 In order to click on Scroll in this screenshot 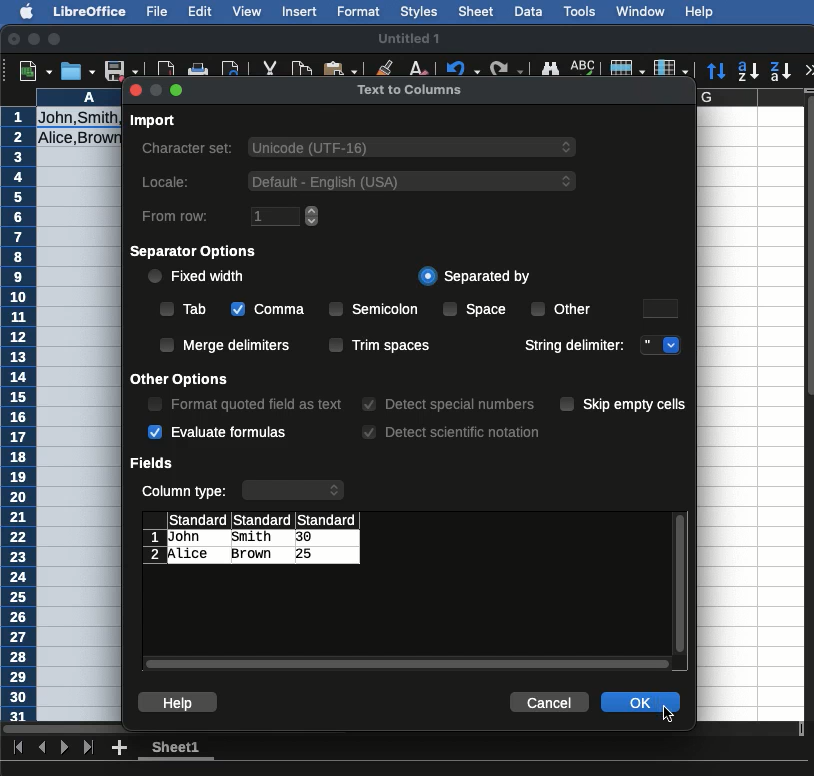, I will do `click(407, 666)`.